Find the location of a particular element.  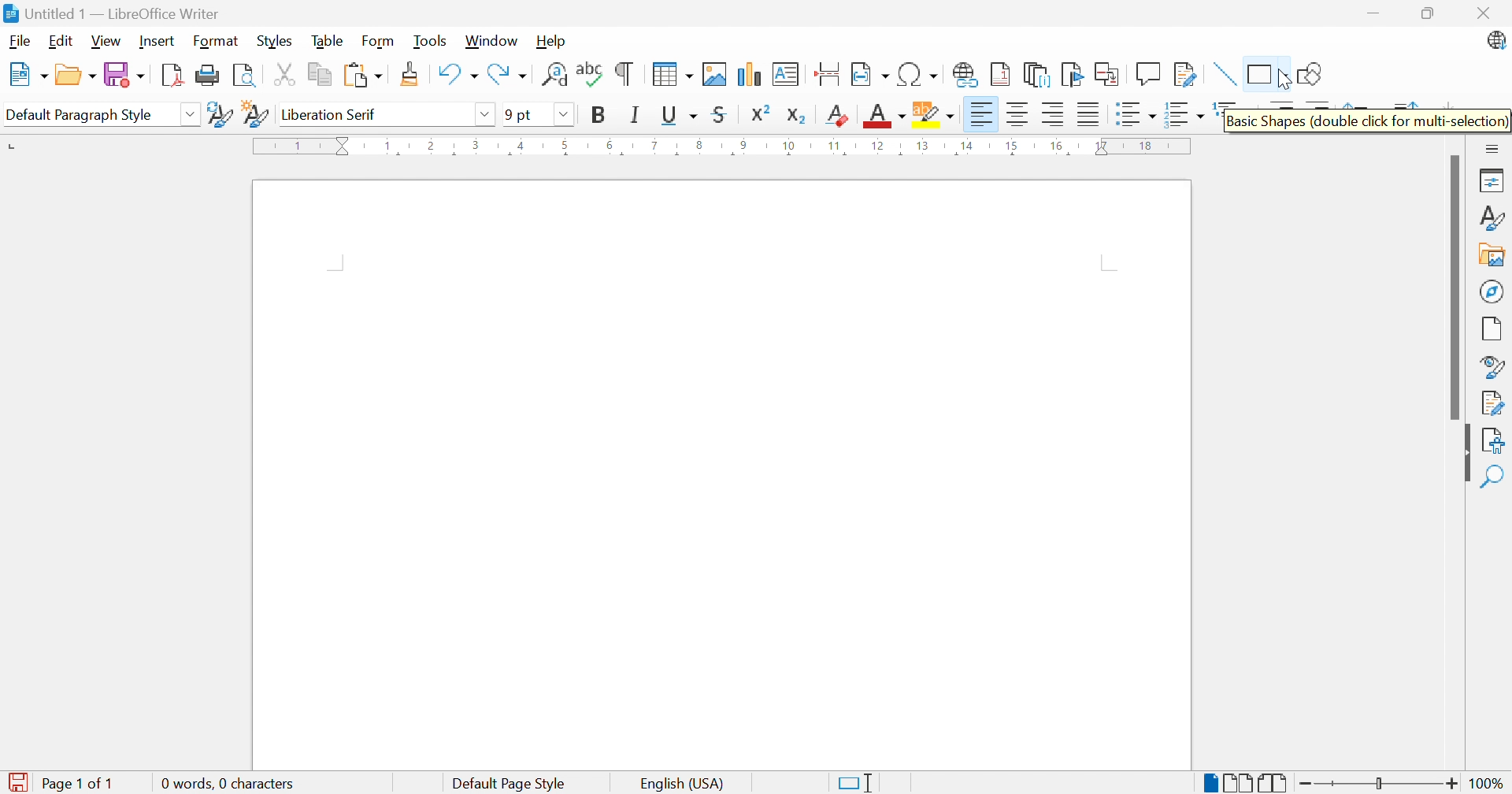

View is located at coordinates (106, 40).